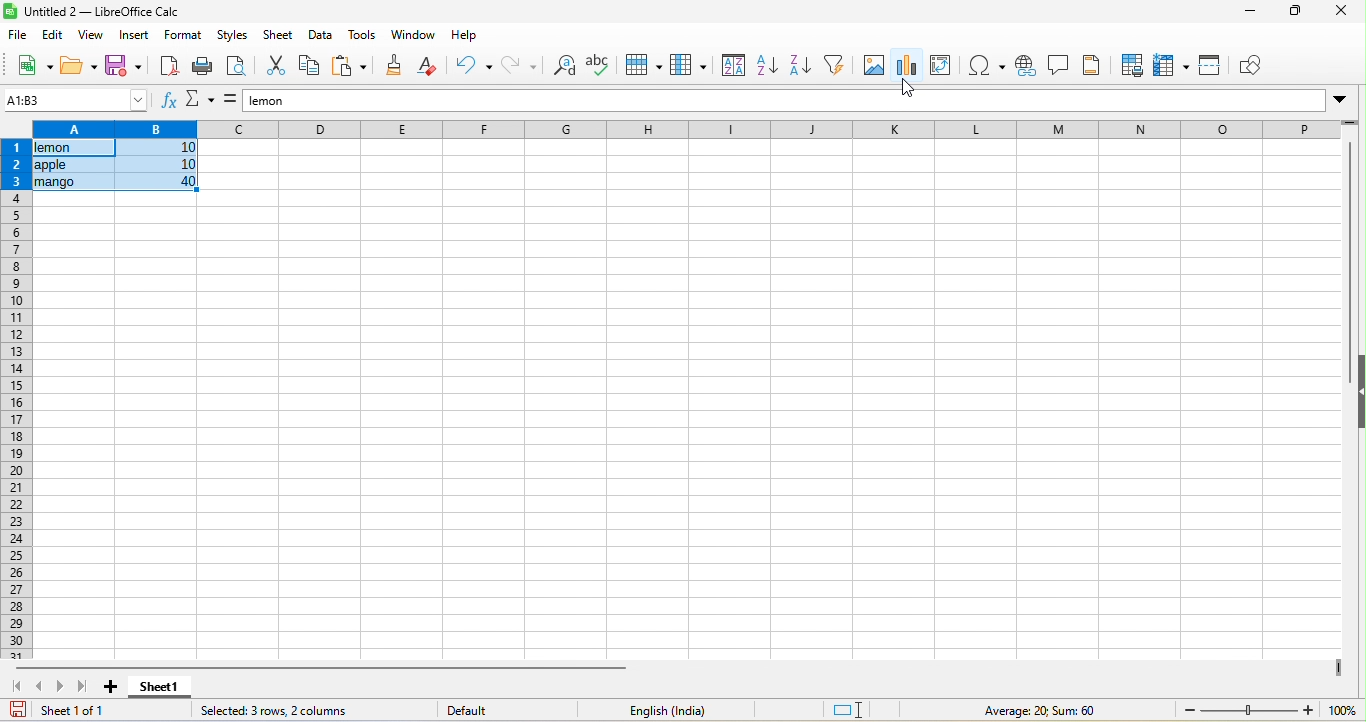 The width and height of the screenshot is (1366, 722). I want to click on freeze row and column, so click(1174, 67).